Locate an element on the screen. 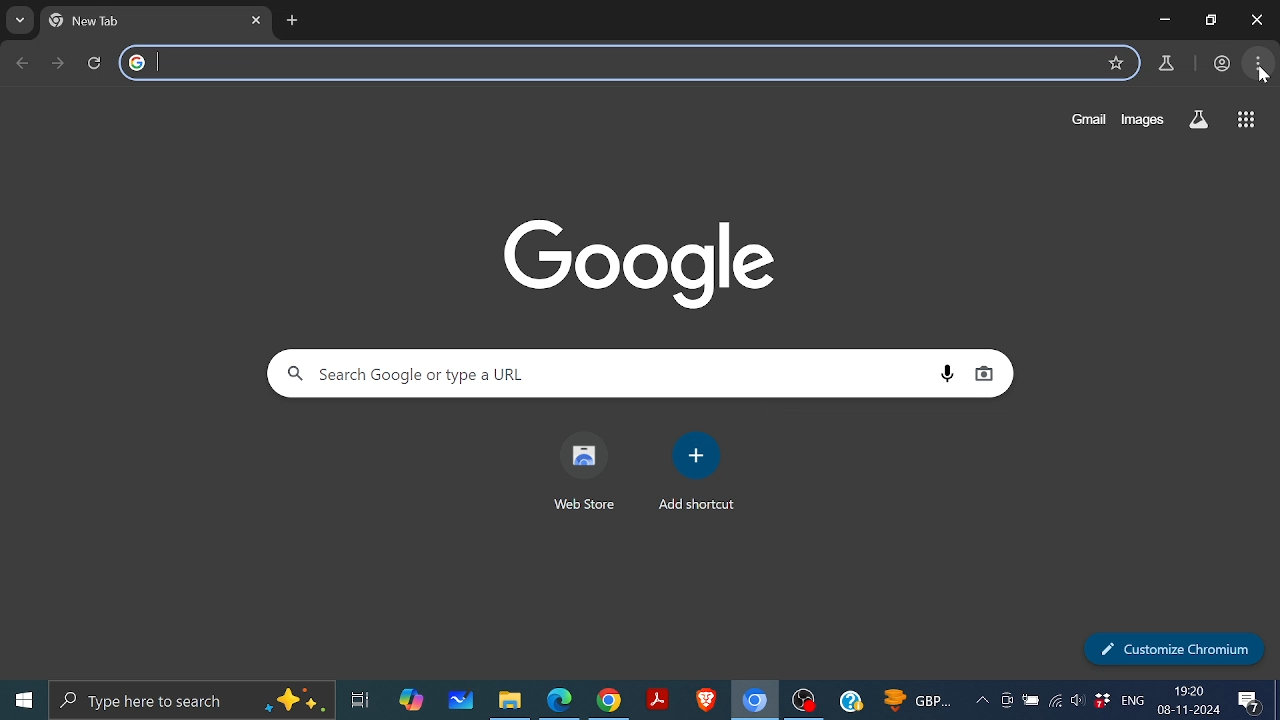  Files is located at coordinates (507, 702).